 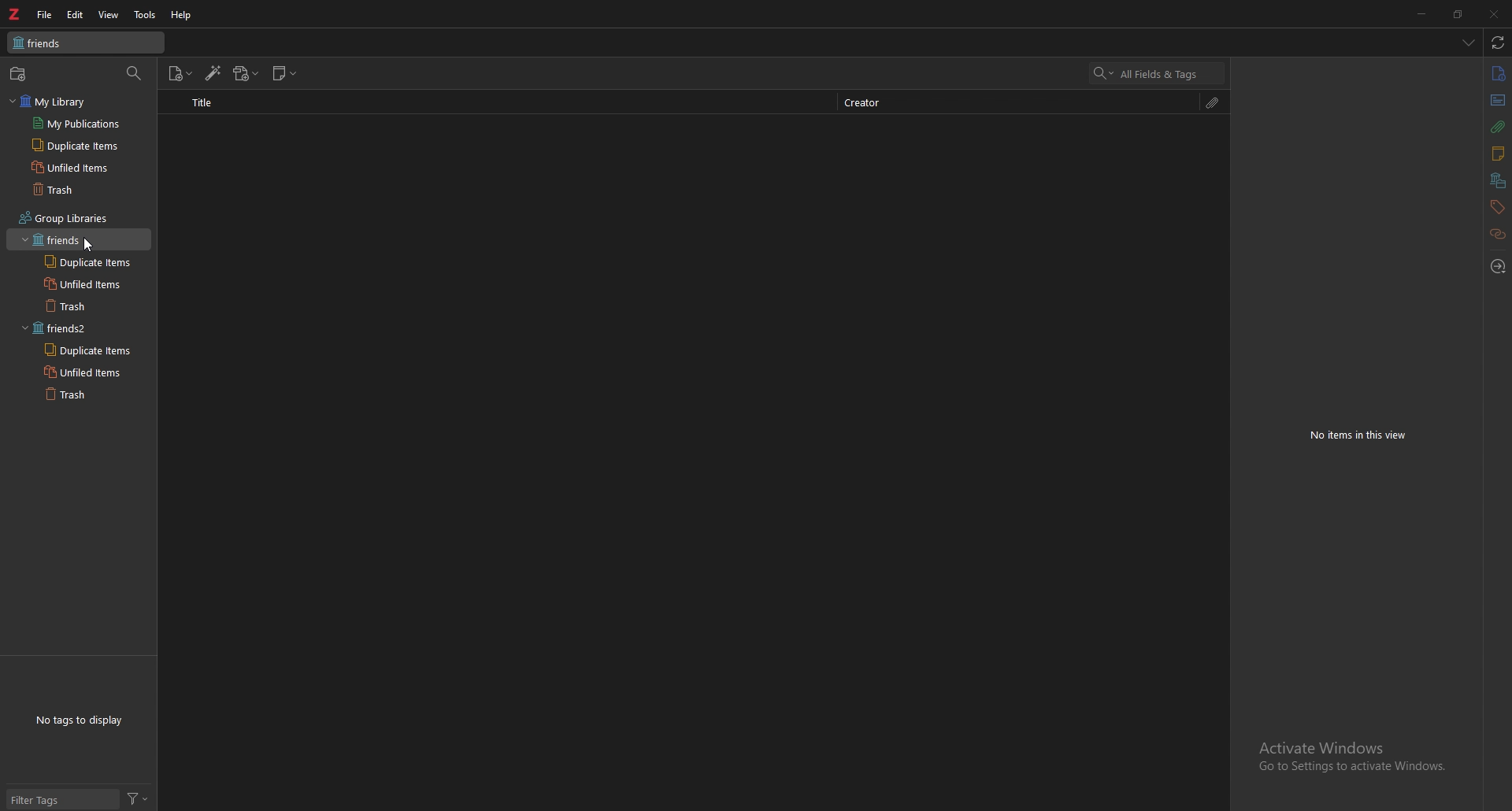 I want to click on notes, so click(x=1498, y=155).